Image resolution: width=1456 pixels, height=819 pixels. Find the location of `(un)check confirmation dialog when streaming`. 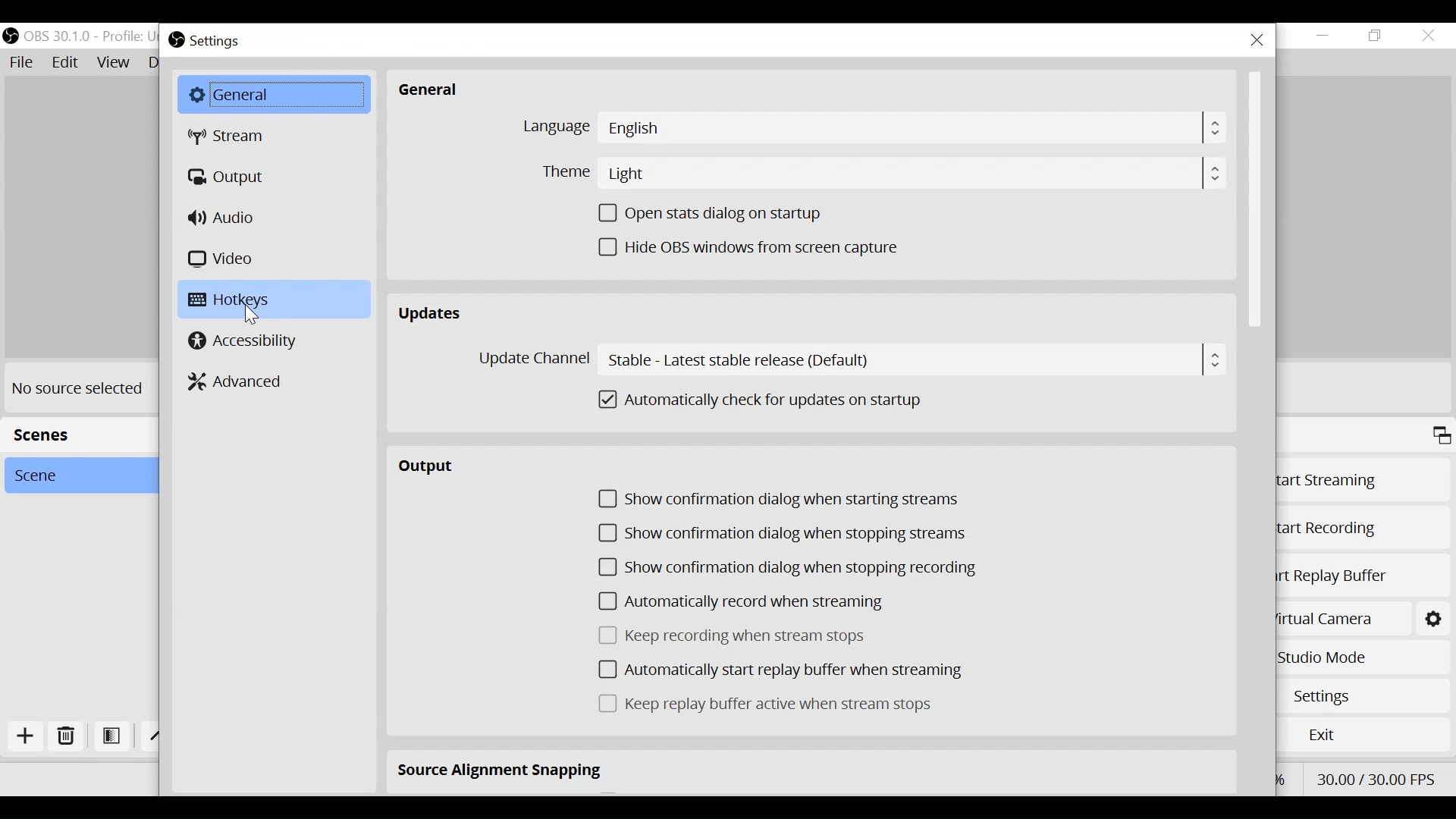

(un)check confirmation dialog when streaming is located at coordinates (780, 500).